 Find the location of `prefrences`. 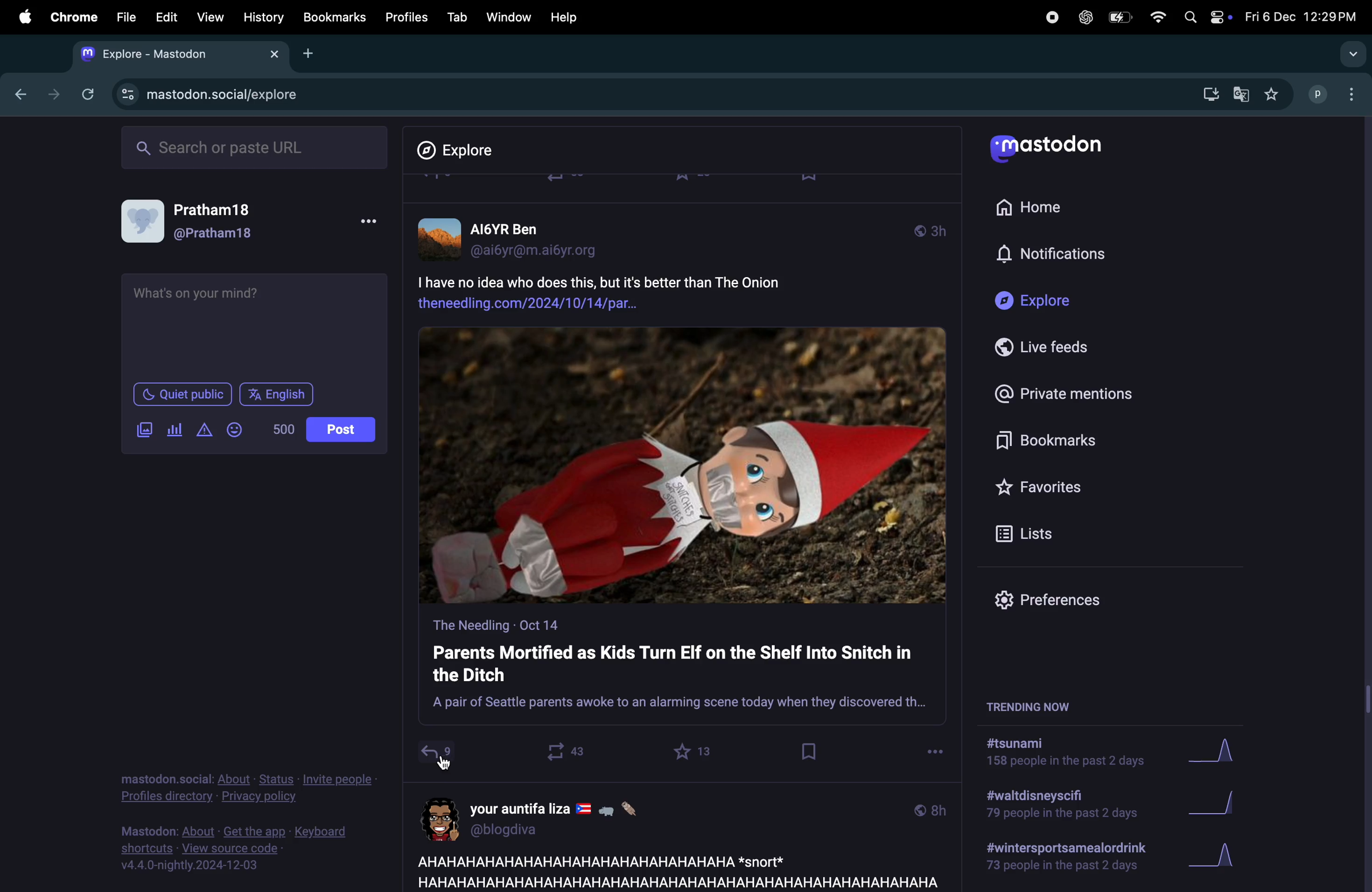

prefrences is located at coordinates (1057, 603).